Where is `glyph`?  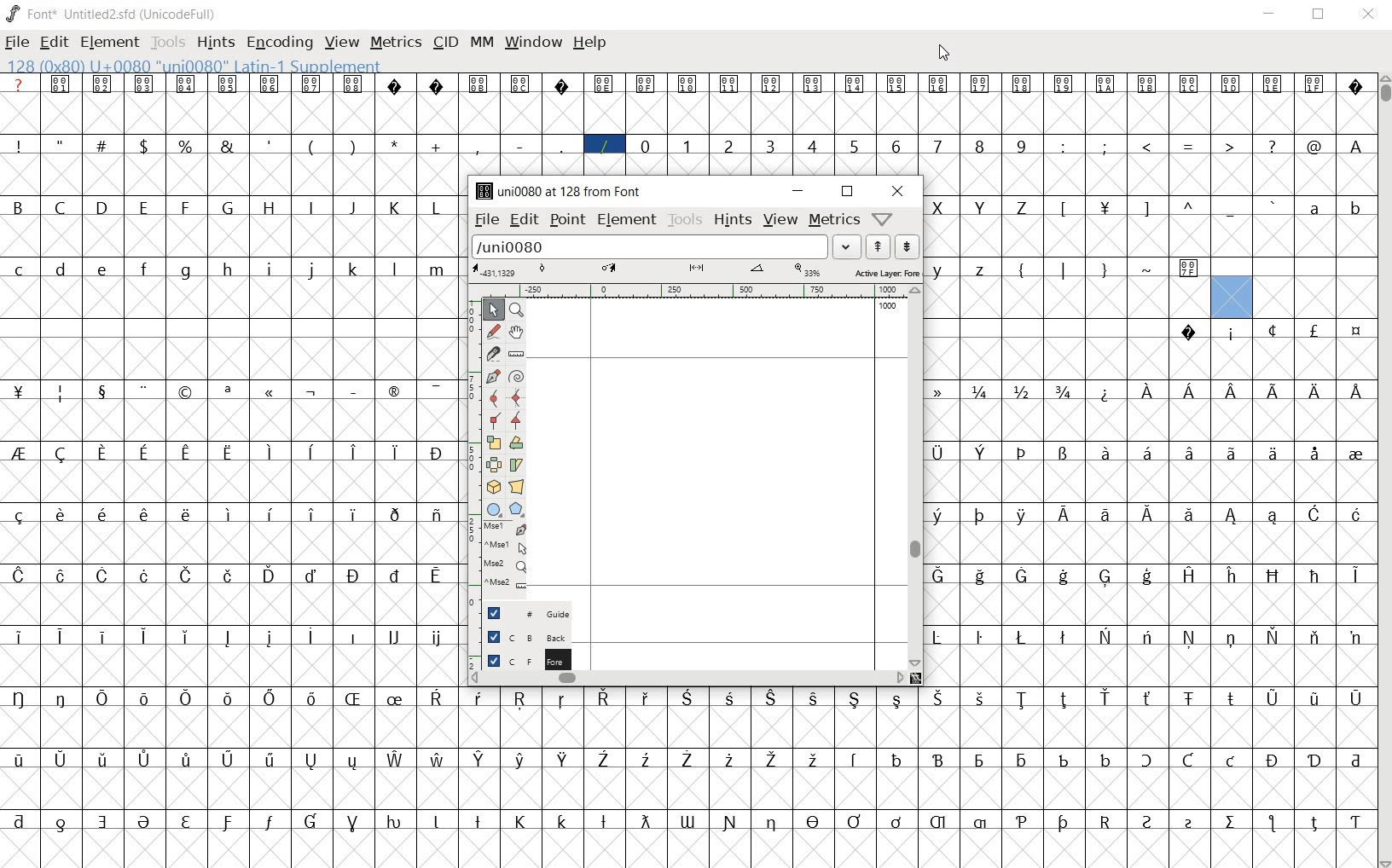
glyph is located at coordinates (270, 145).